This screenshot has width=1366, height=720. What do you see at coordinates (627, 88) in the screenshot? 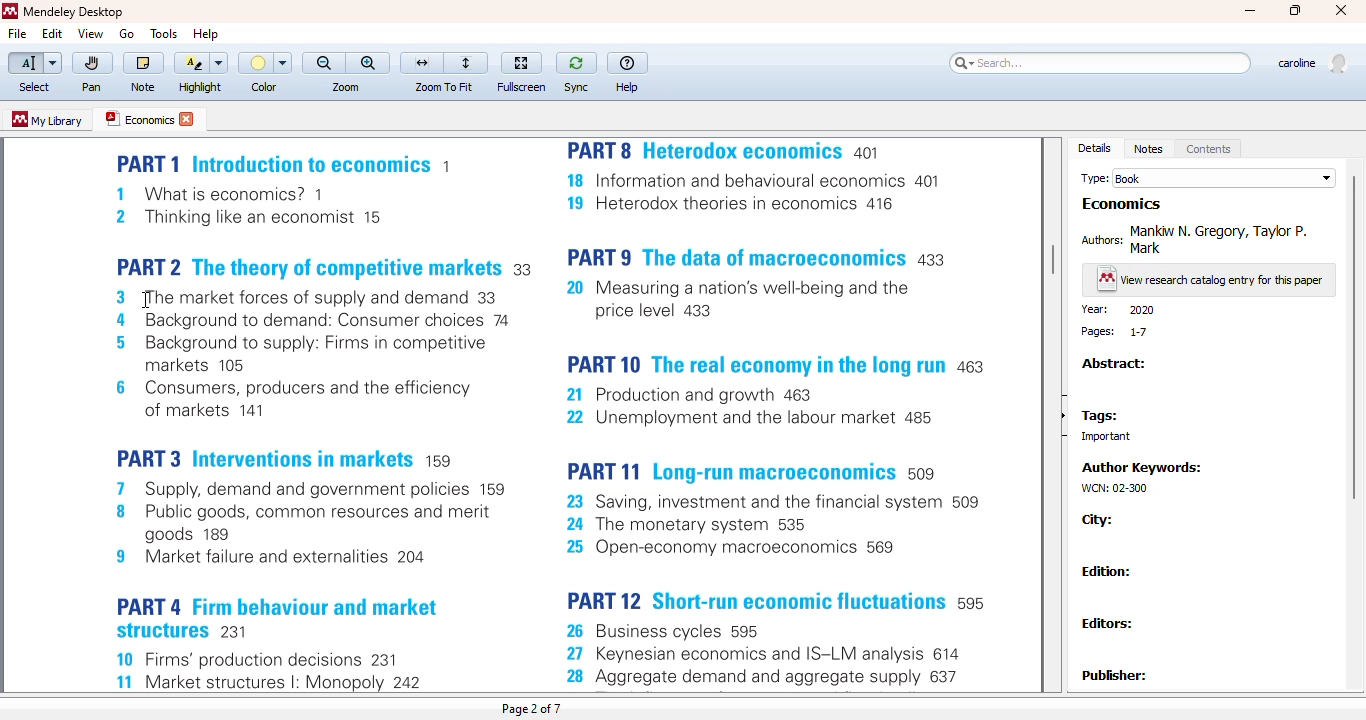
I see `Help` at bounding box center [627, 88].